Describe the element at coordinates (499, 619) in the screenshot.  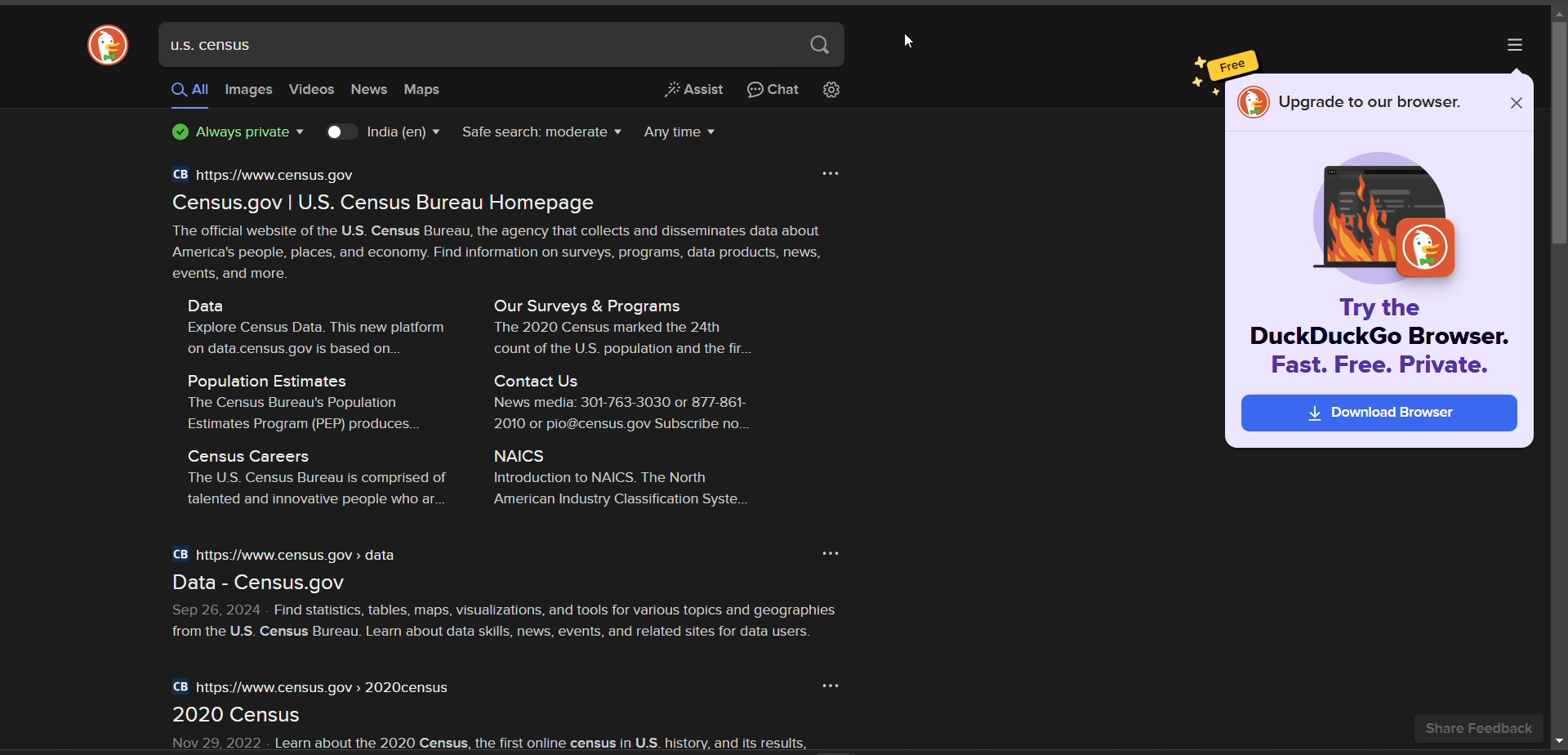
I see `Sep 26, 2024 - Find statistics, tables, maps, visualizations, and tools for various topics and geographies
from the U.S. Census Bureau. Learn about data skills, news, events, and related sites for data users.` at that location.